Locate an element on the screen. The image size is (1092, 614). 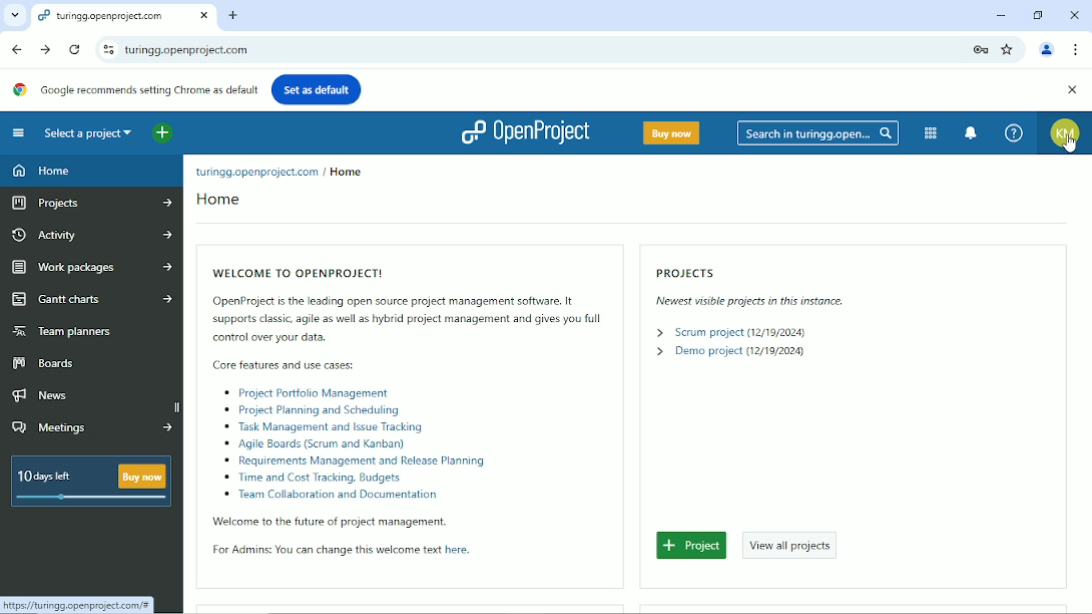
10 days left is located at coordinates (50, 474).